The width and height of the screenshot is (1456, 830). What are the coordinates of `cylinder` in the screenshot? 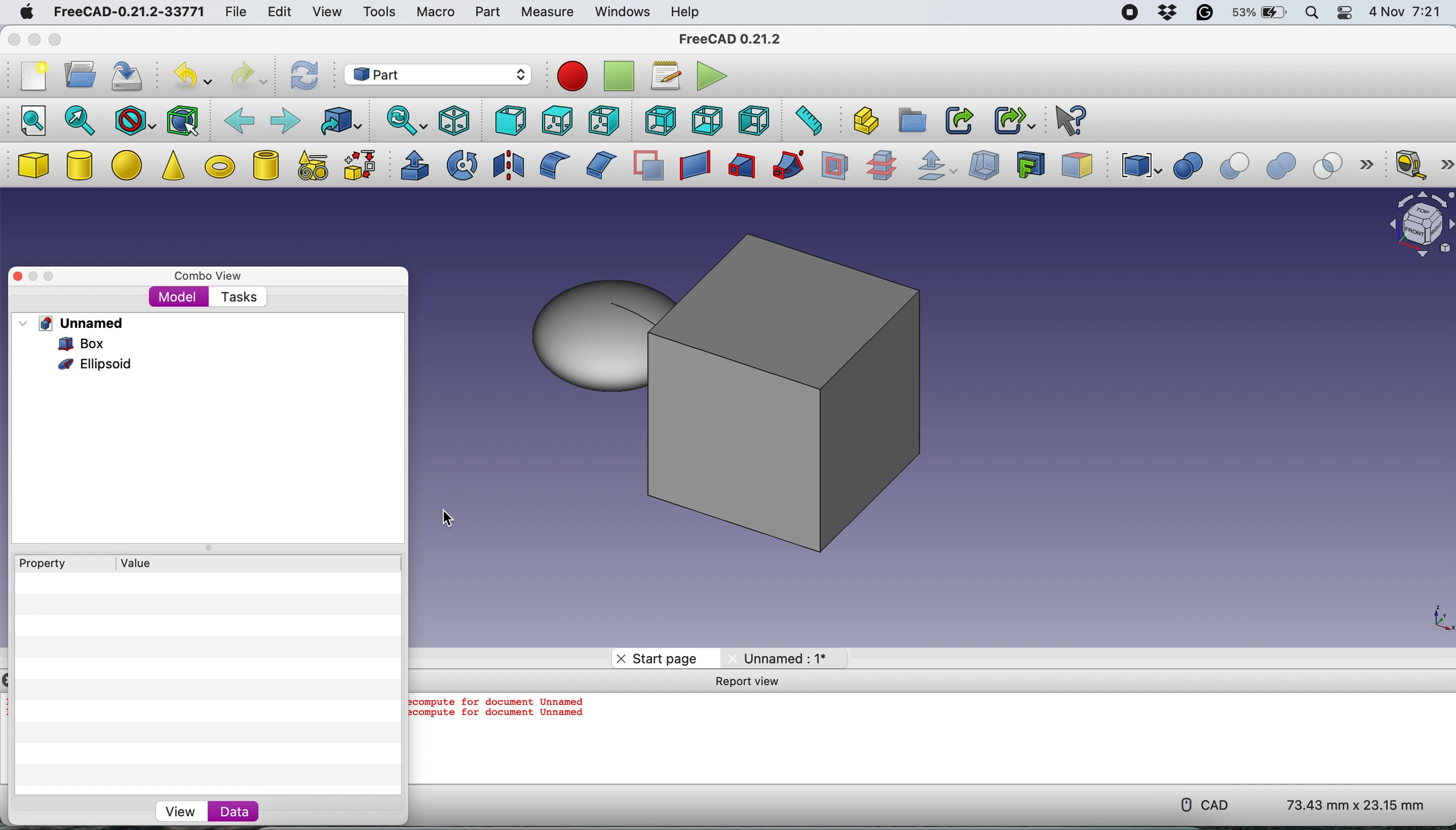 It's located at (80, 167).